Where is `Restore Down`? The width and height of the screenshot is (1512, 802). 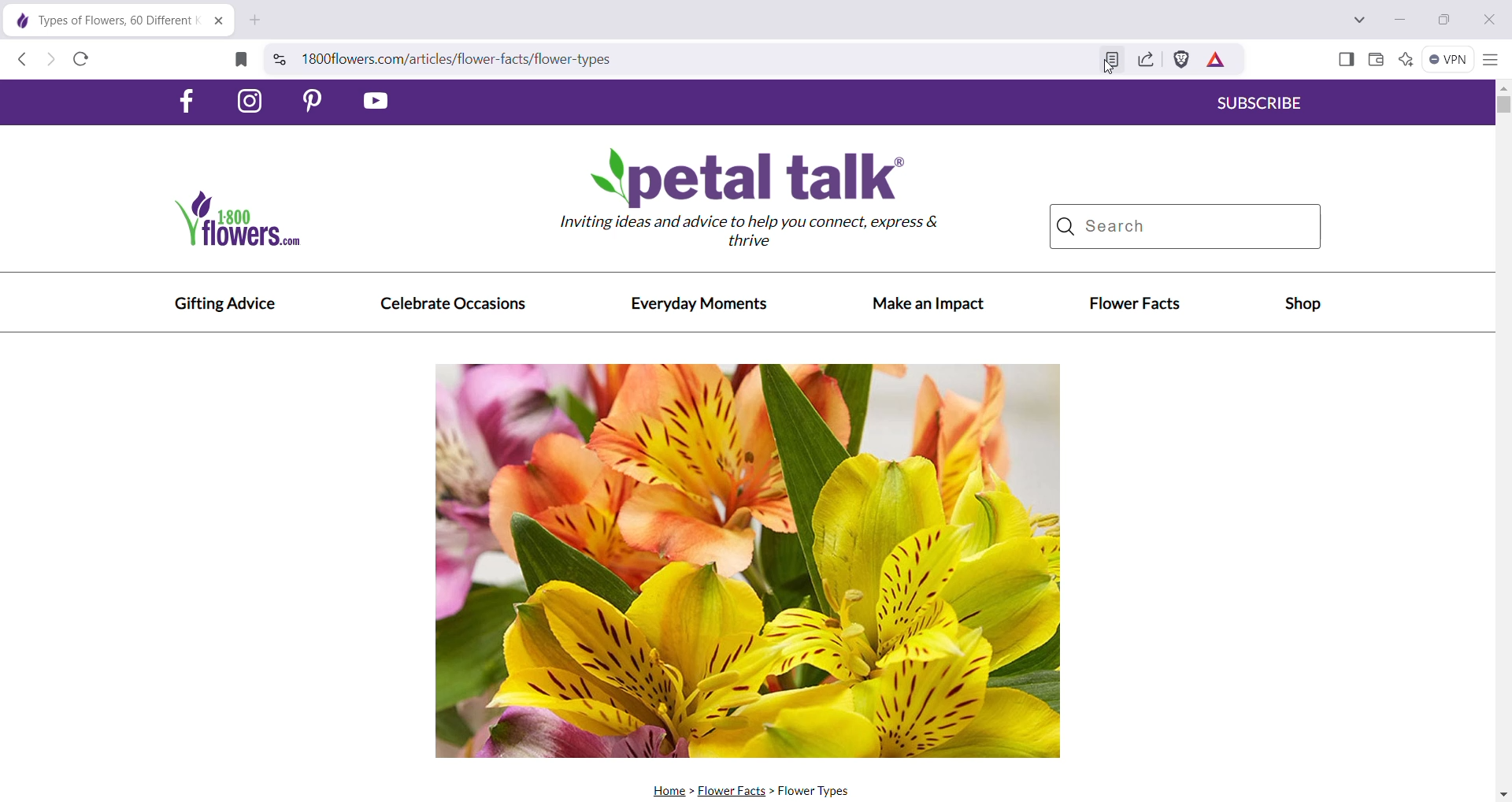 Restore Down is located at coordinates (1446, 20).